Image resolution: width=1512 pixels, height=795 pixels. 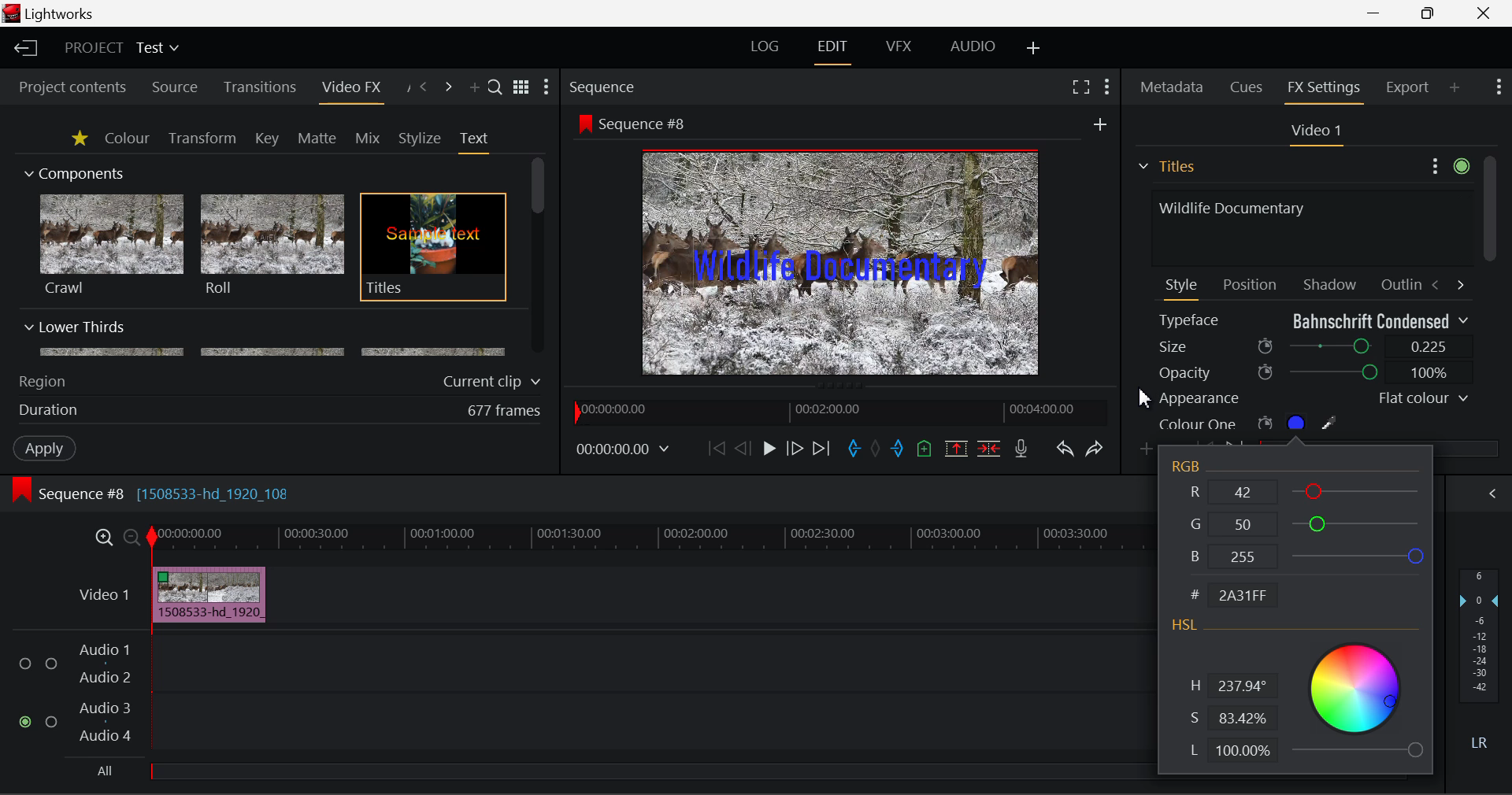 What do you see at coordinates (72, 170) in the screenshot?
I see `Components Section` at bounding box center [72, 170].